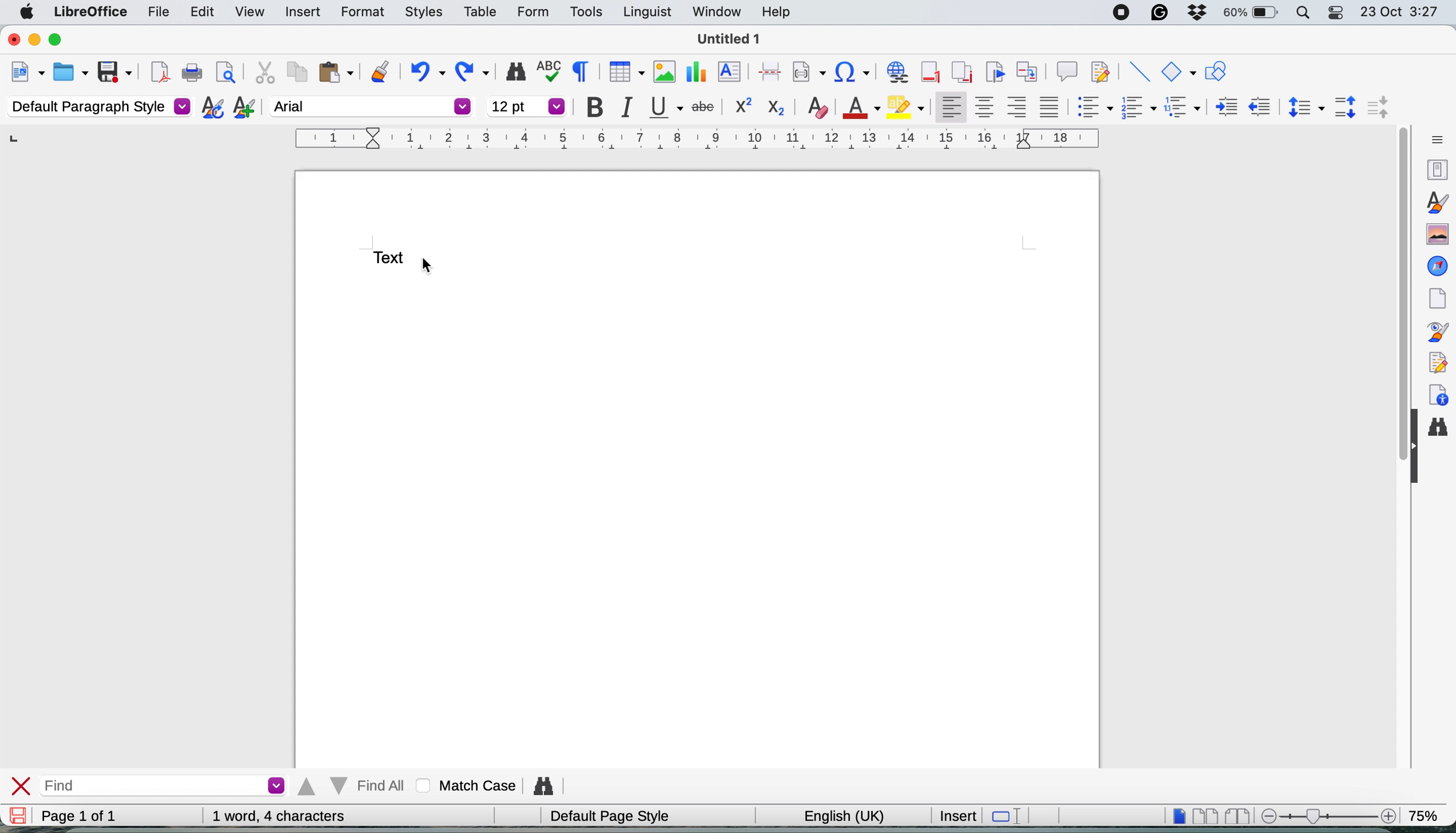  What do you see at coordinates (895, 73) in the screenshot?
I see `insert hyperlink` at bounding box center [895, 73].